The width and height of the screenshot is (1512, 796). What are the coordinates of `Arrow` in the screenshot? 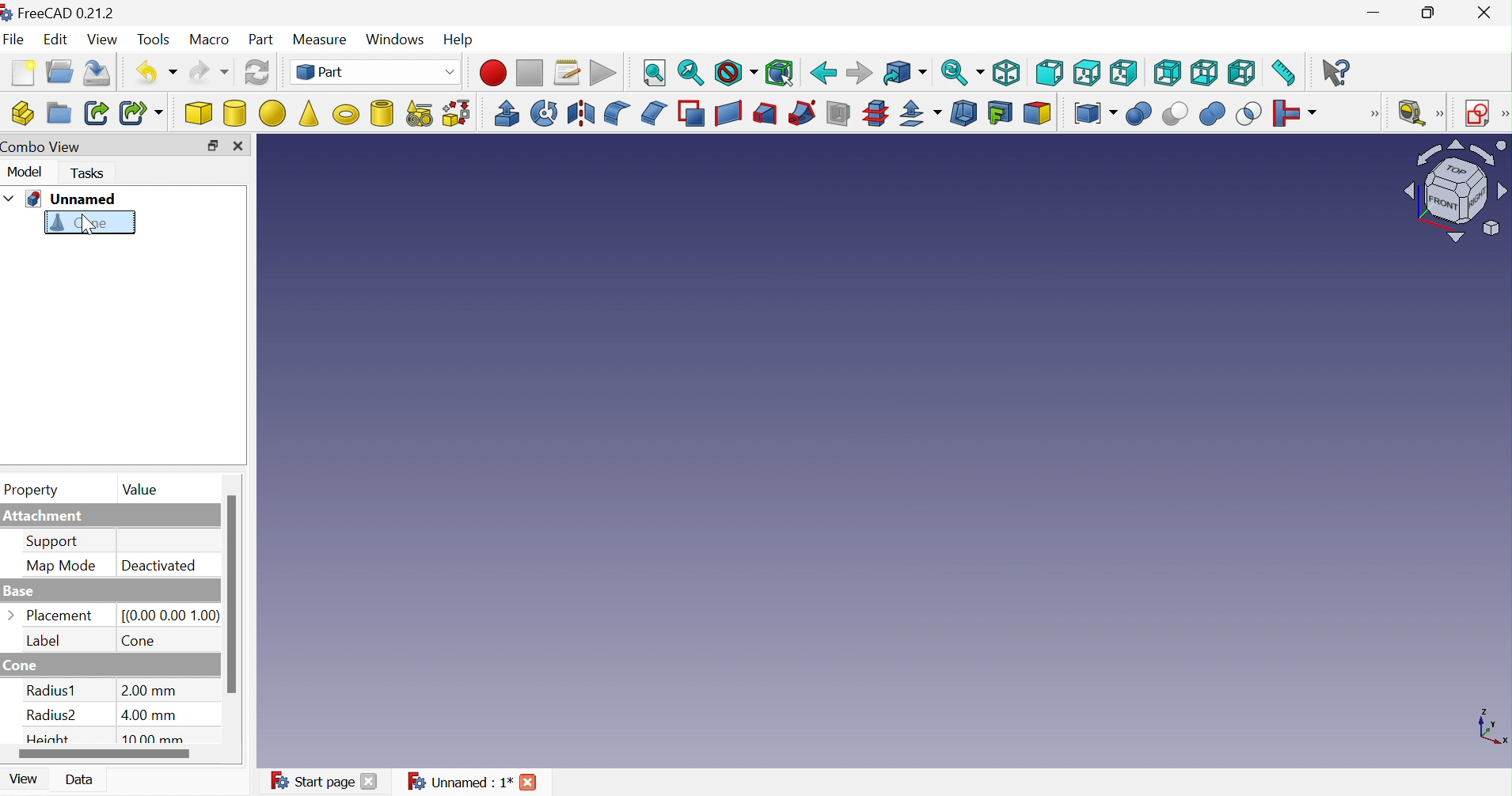 It's located at (12, 613).